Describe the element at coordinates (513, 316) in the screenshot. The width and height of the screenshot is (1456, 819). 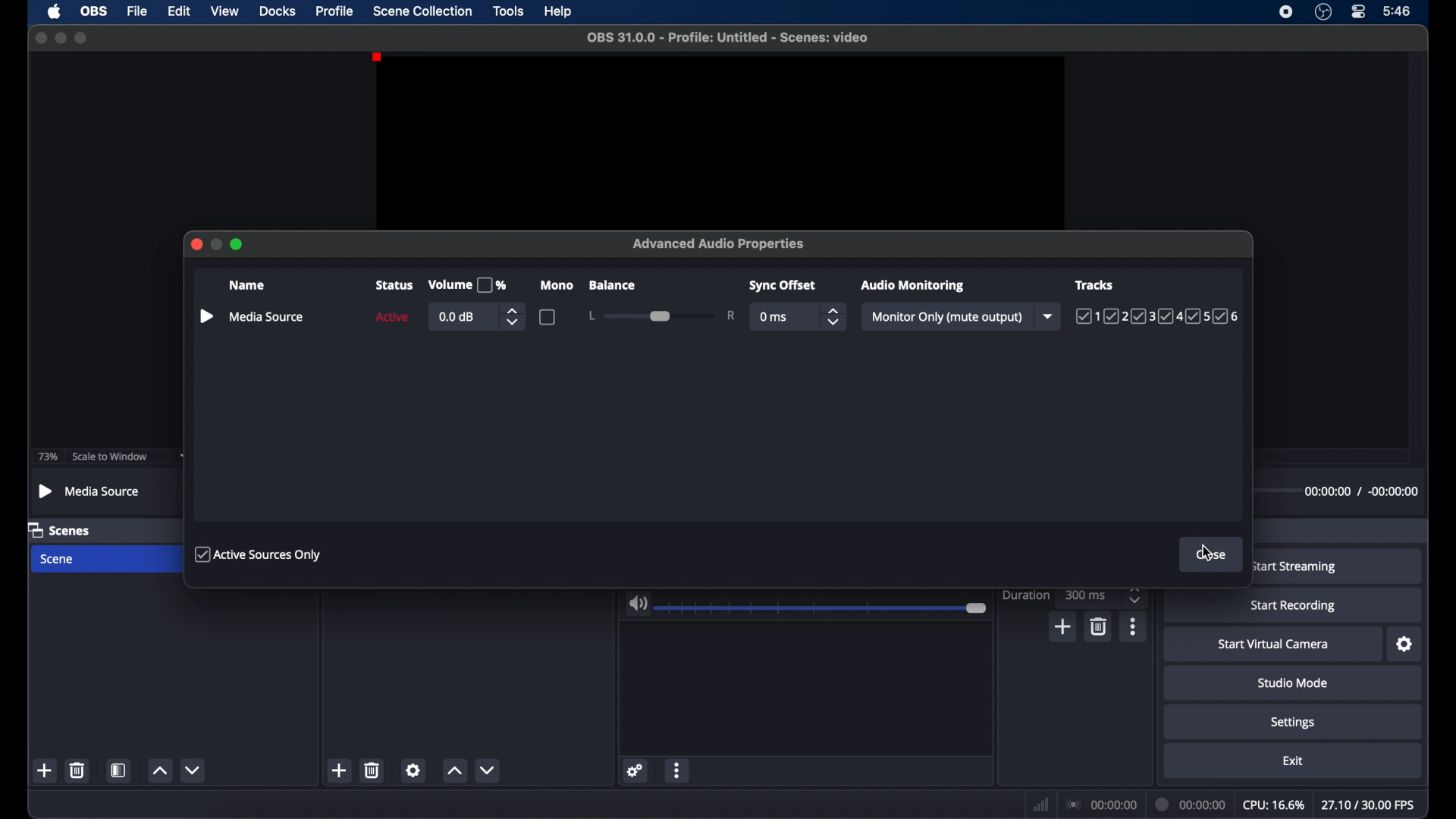
I see `stepper buttons` at that location.